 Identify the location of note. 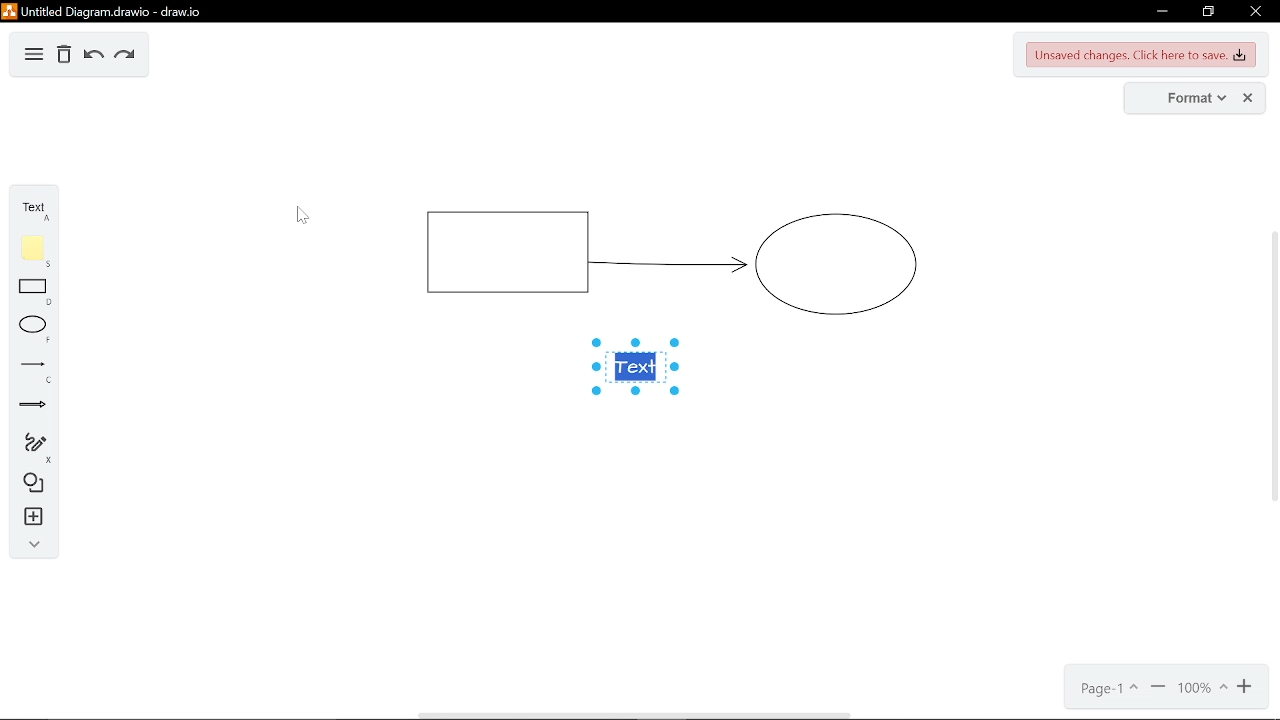
(37, 252).